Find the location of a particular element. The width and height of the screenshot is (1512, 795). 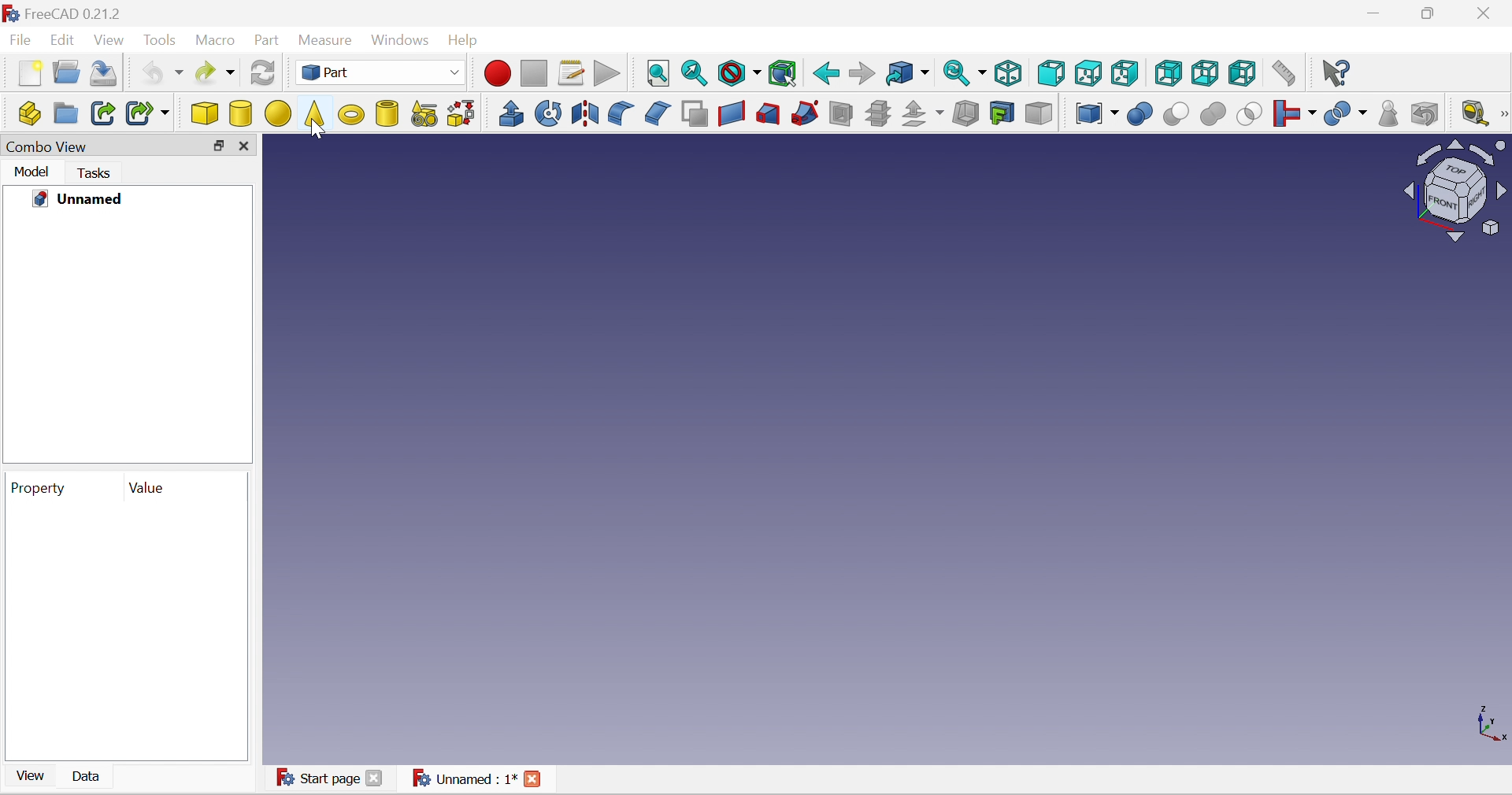

preview is located at coordinates (125, 634).